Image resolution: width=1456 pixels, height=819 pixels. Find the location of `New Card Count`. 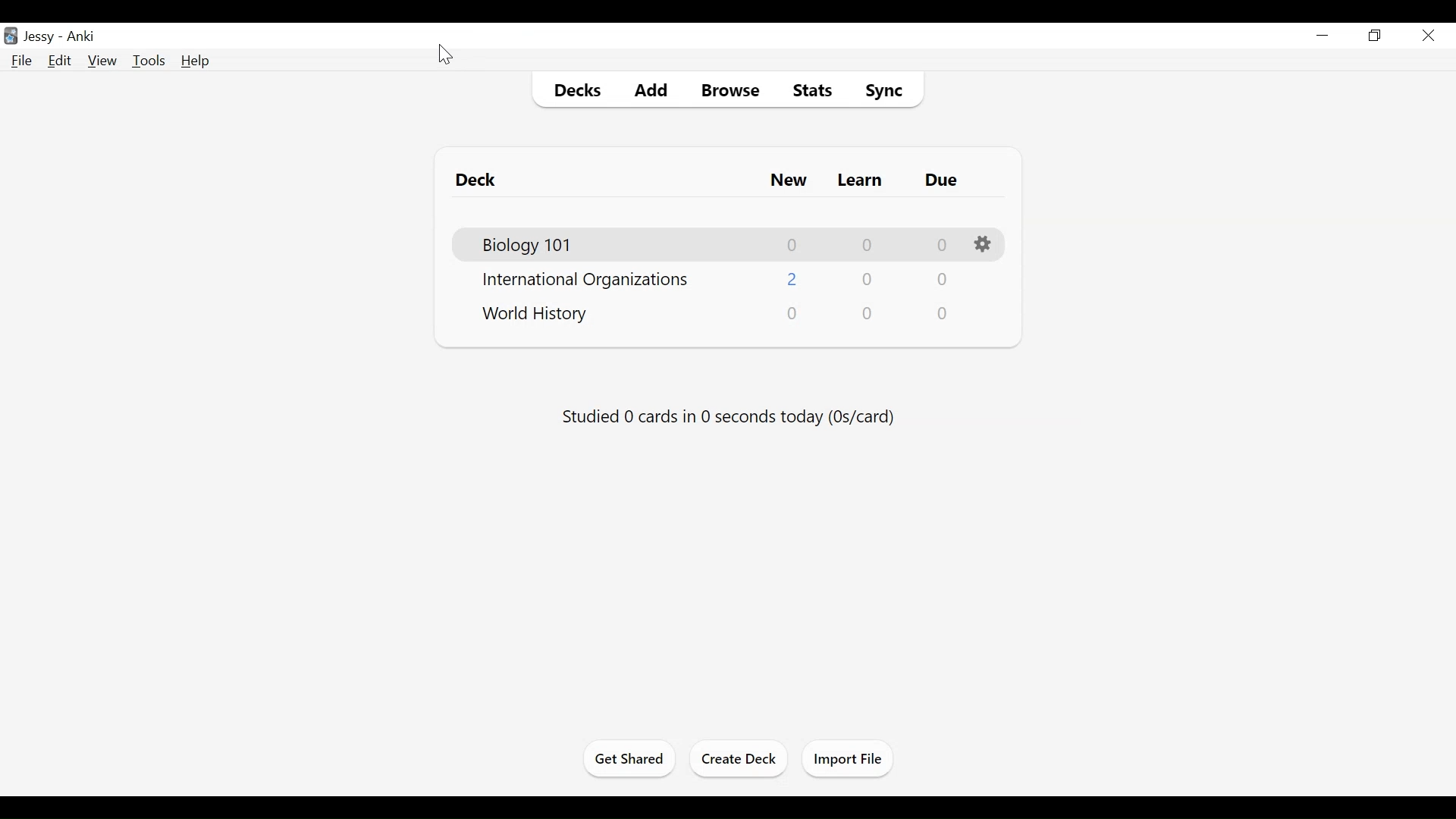

New Card Count is located at coordinates (790, 279).